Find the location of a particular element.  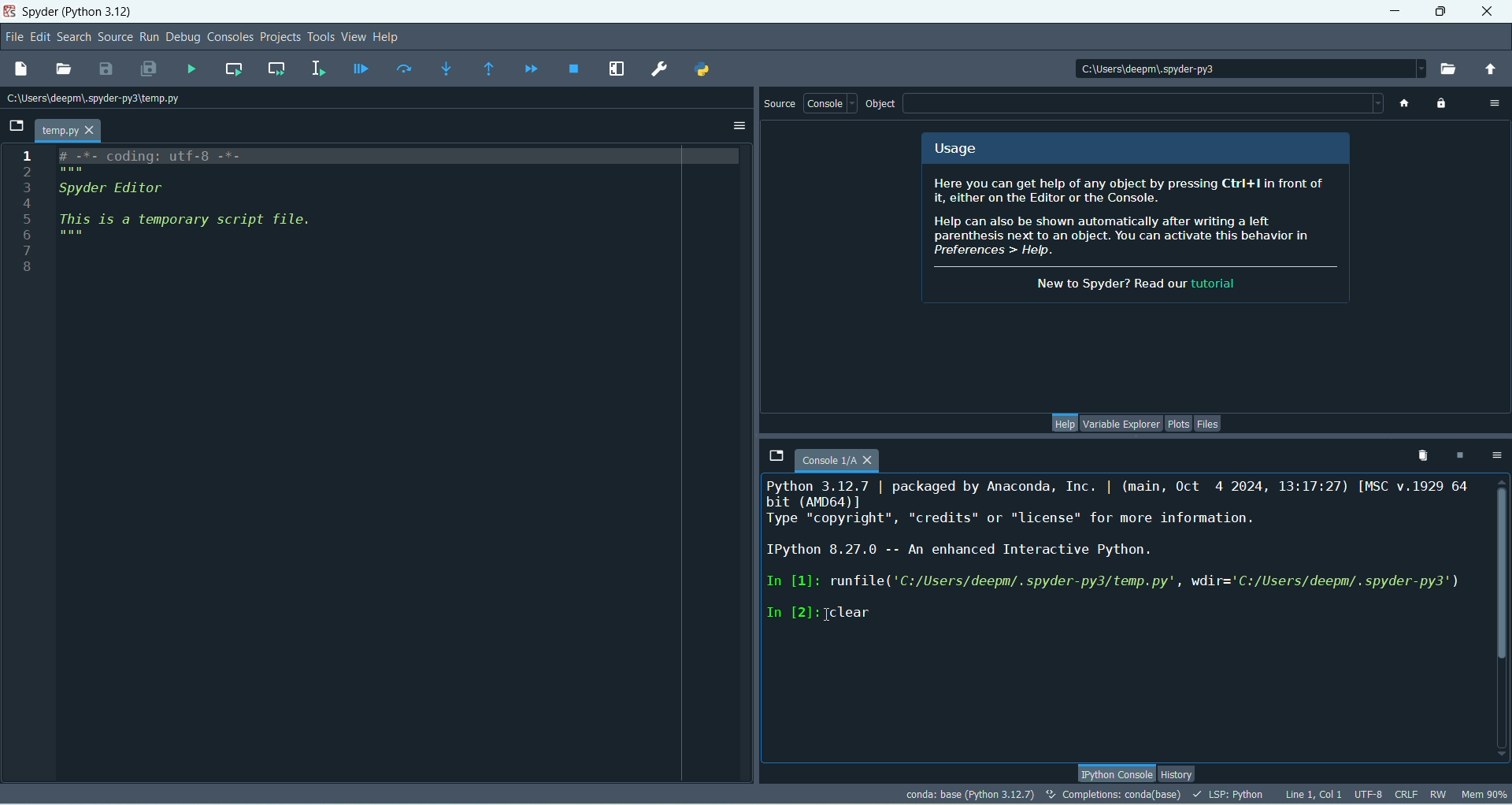

lock is located at coordinates (1443, 105).